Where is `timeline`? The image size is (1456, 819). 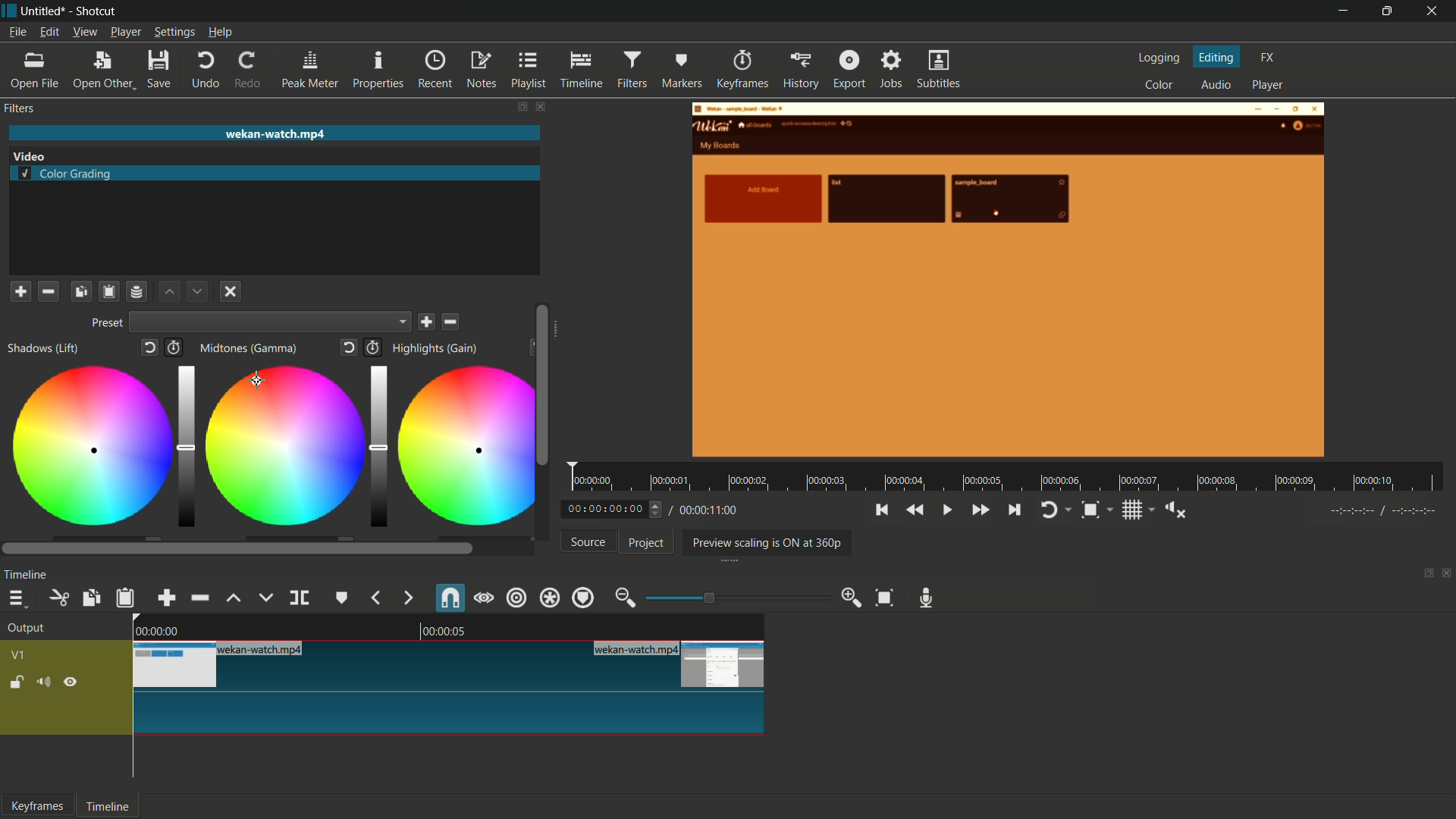
timeline is located at coordinates (582, 71).